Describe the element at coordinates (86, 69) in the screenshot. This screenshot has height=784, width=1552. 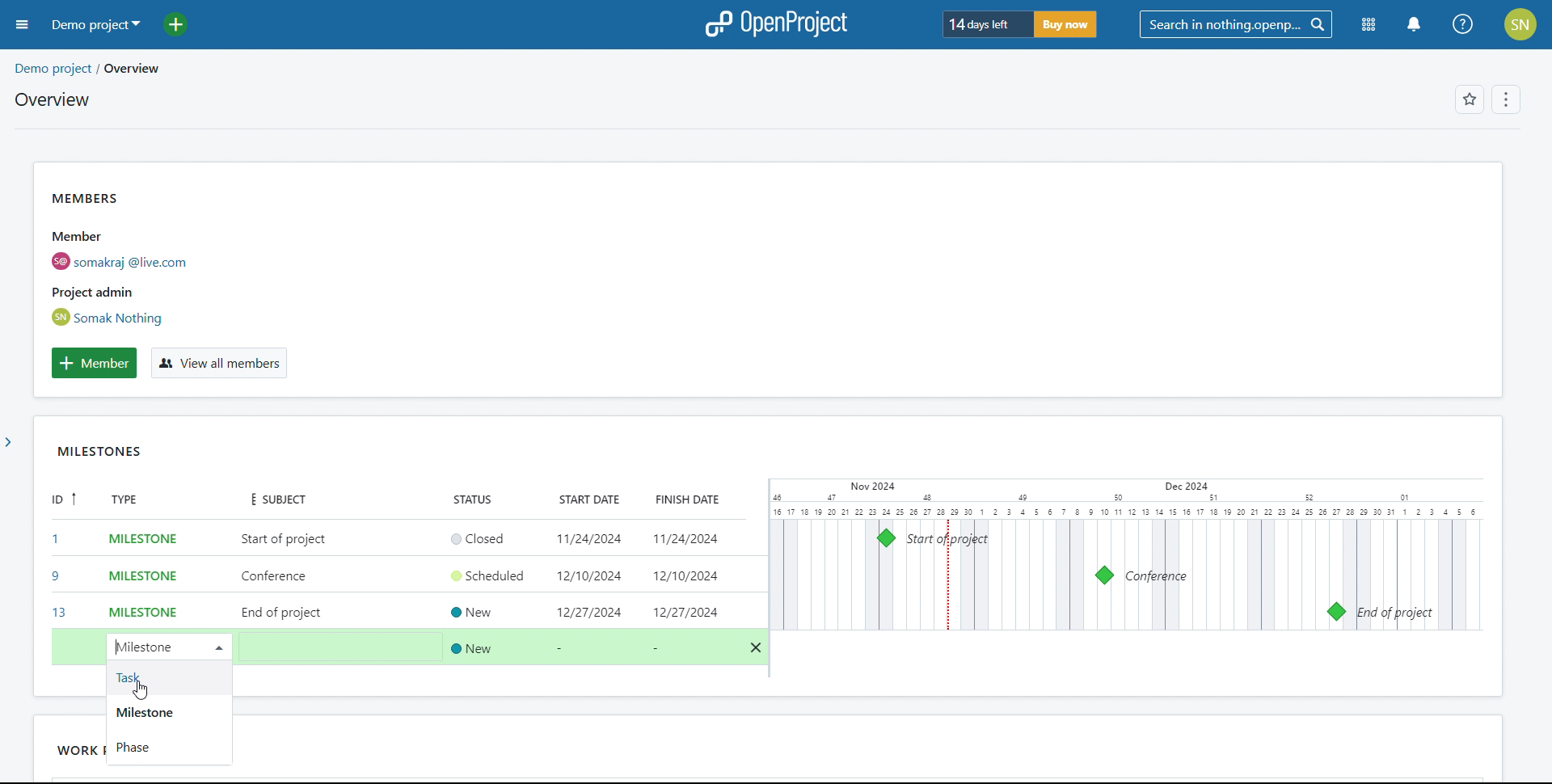
I see `demo project/overview` at that location.